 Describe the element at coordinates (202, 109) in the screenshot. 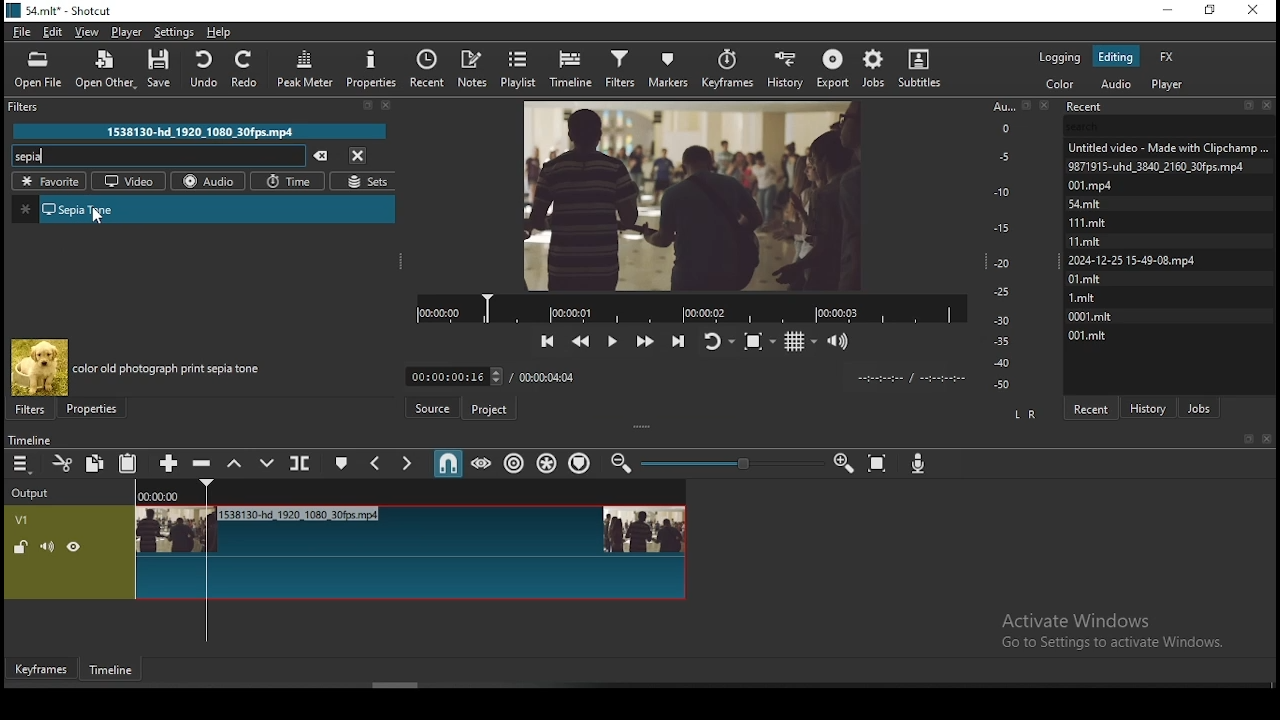

I see `Filter` at that location.